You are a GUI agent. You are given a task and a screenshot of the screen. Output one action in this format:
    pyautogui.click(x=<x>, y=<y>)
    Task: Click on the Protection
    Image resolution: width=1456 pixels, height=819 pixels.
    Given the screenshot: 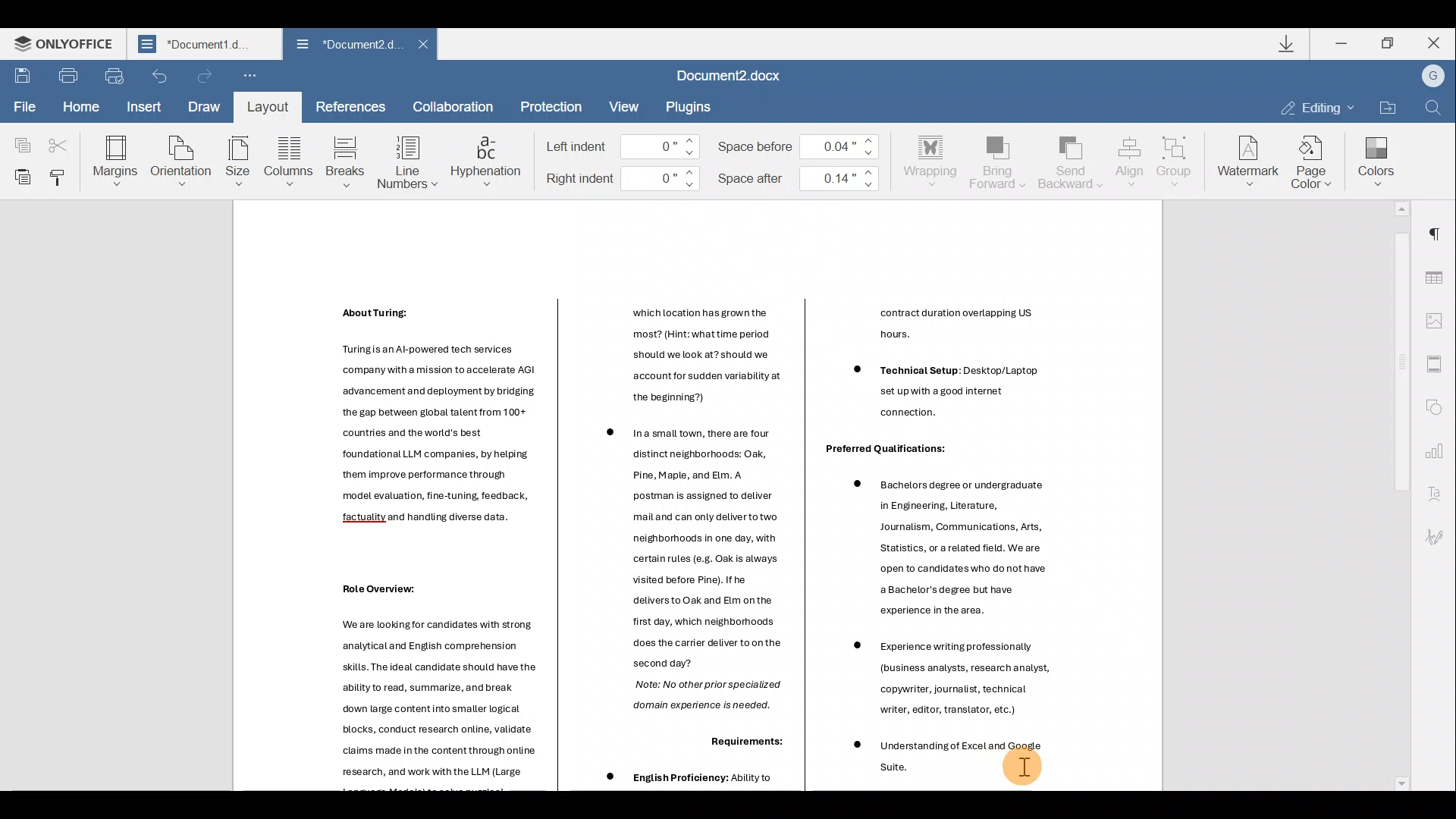 What is the action you would take?
    pyautogui.click(x=550, y=106)
    